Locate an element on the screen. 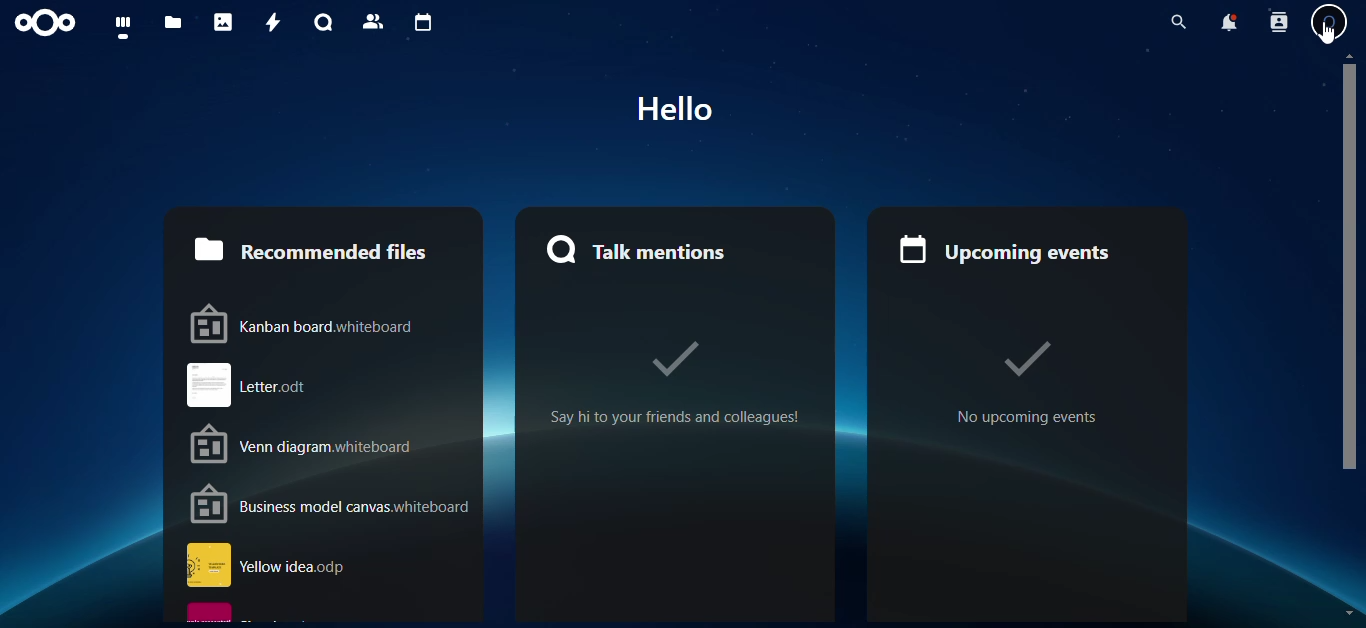  scroll bar is located at coordinates (1351, 267).